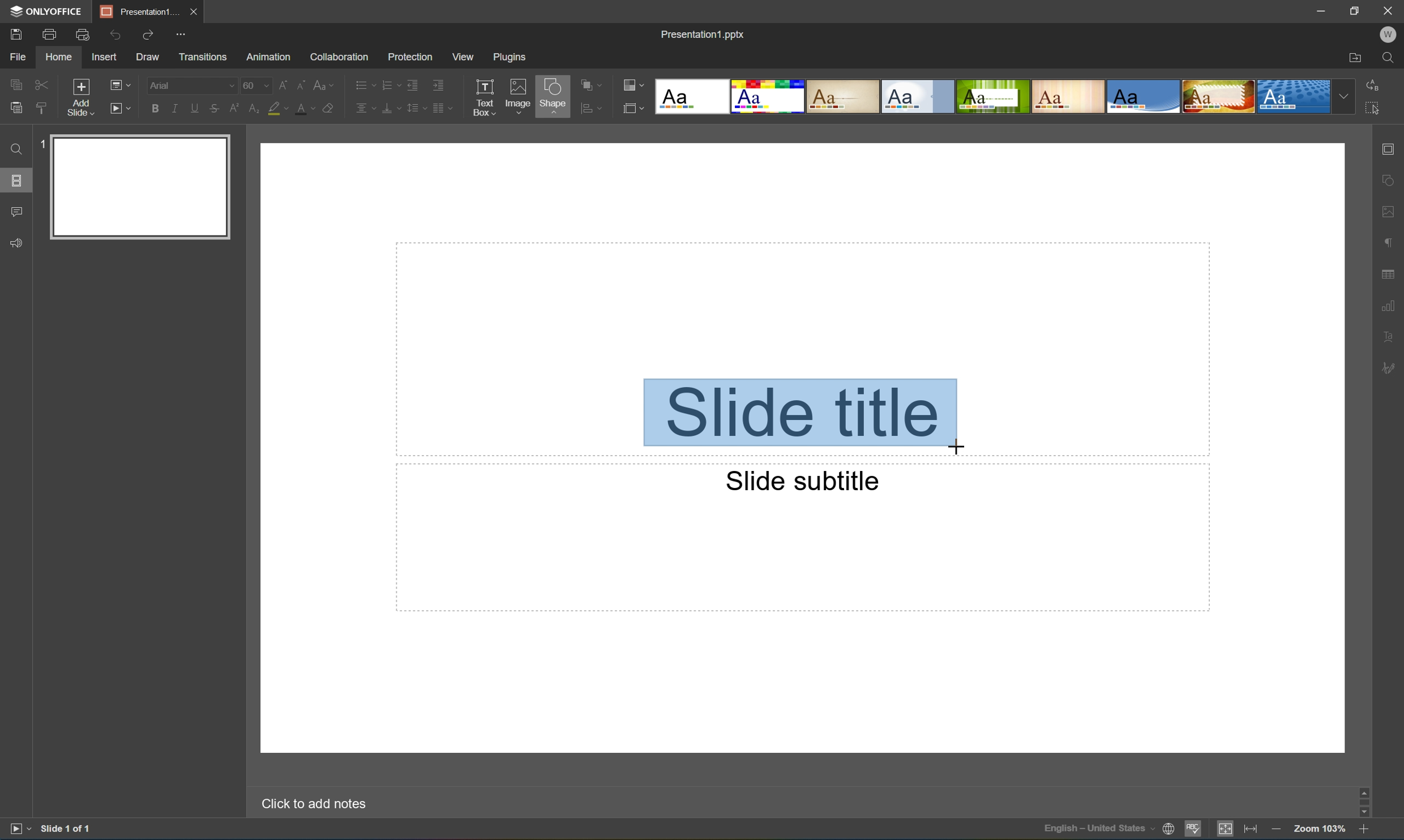  Describe the element at coordinates (83, 34) in the screenshot. I see `Quick print` at that location.